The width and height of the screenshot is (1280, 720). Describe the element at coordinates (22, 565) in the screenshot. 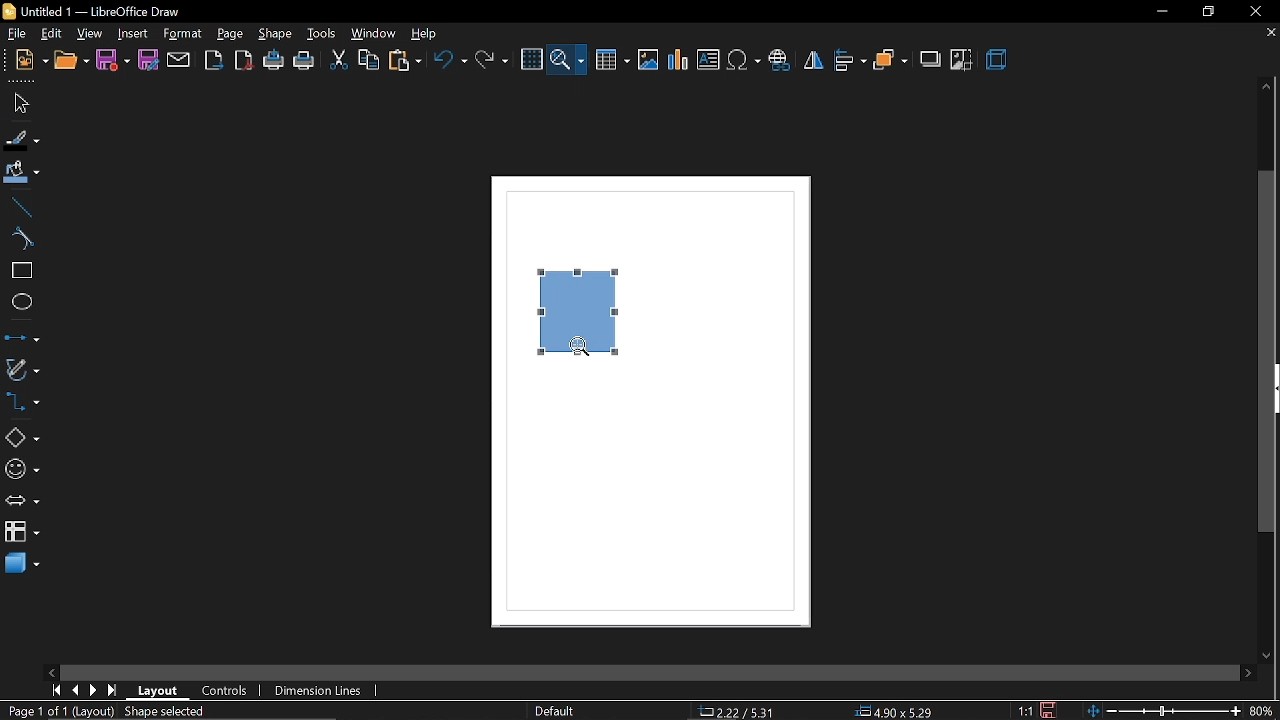

I see `3d shapes` at that location.